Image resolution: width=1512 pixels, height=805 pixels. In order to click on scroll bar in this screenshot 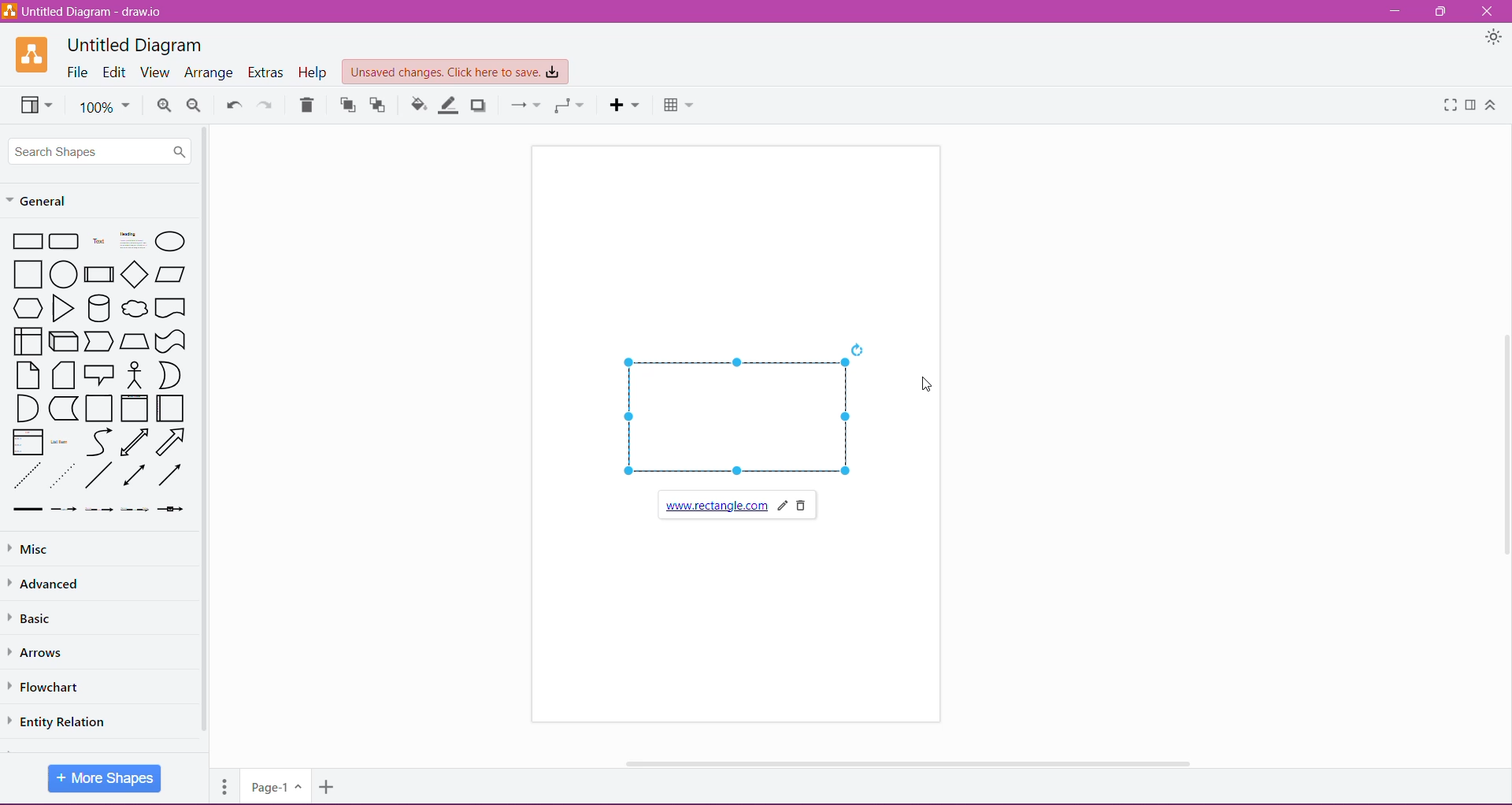, I will do `click(909, 763)`.